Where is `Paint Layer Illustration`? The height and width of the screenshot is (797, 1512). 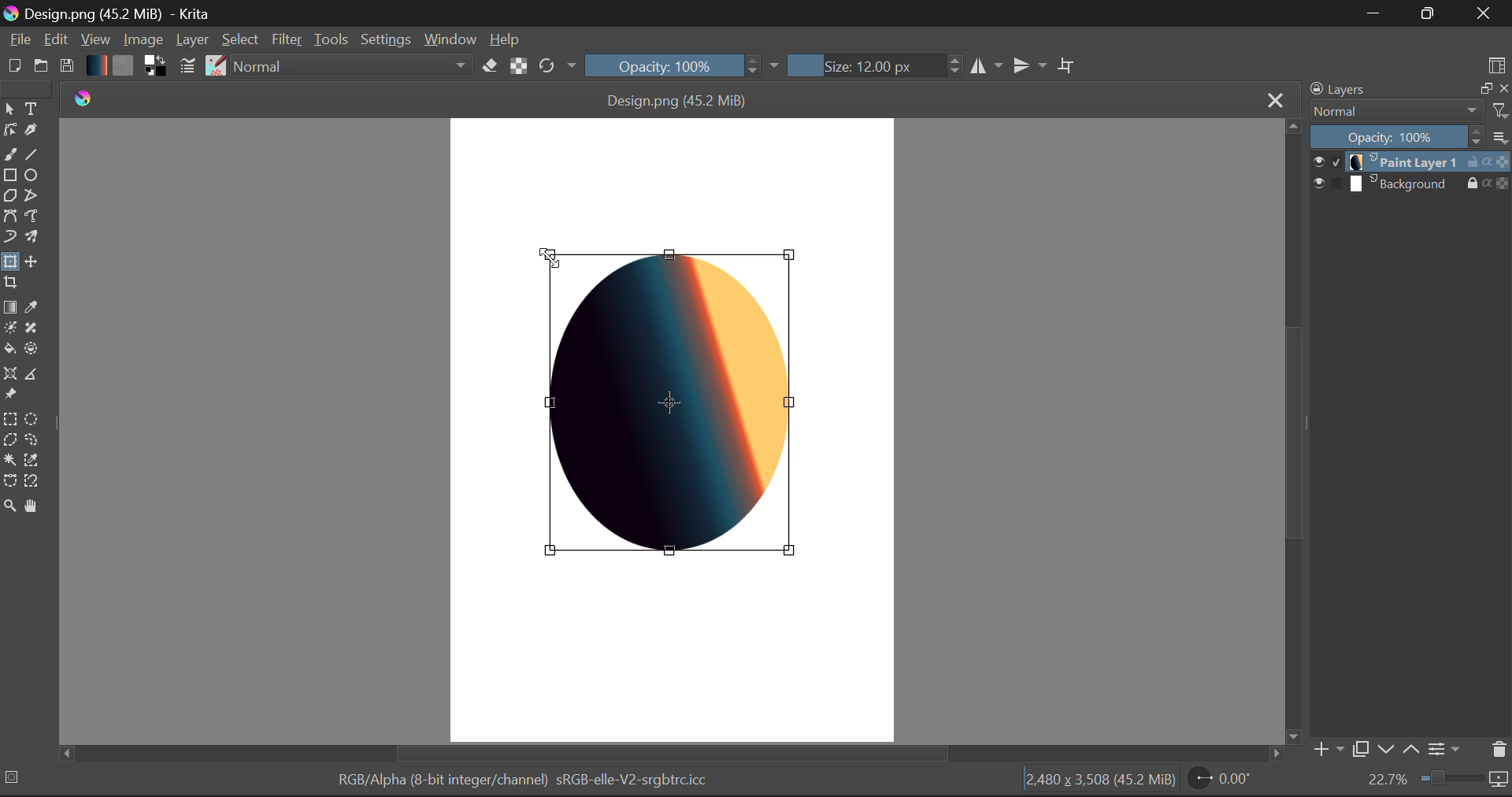
Paint Layer Illustration is located at coordinates (677, 404).